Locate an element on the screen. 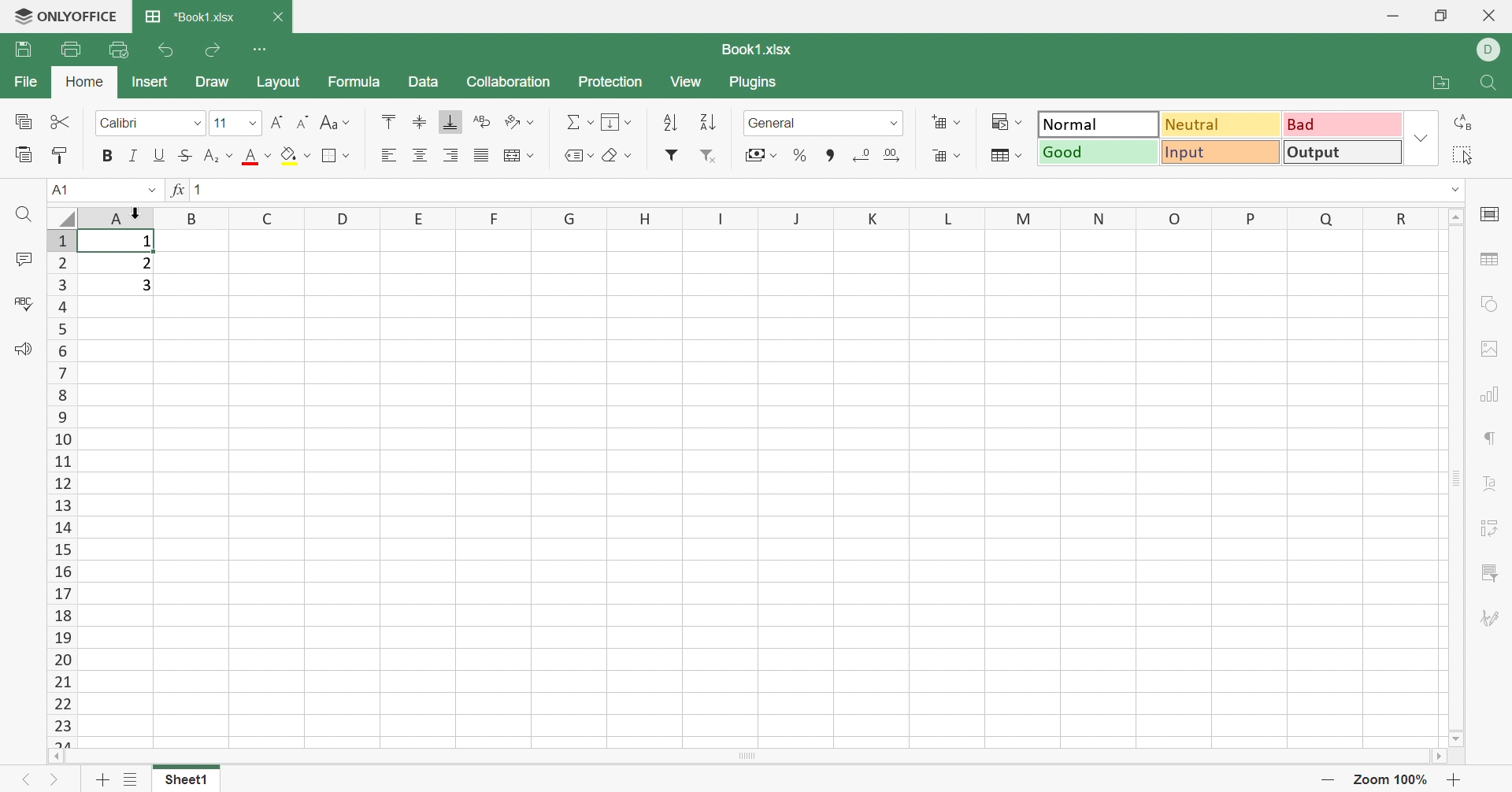 The image size is (1512, 792). Format as table template is located at coordinates (1004, 155).